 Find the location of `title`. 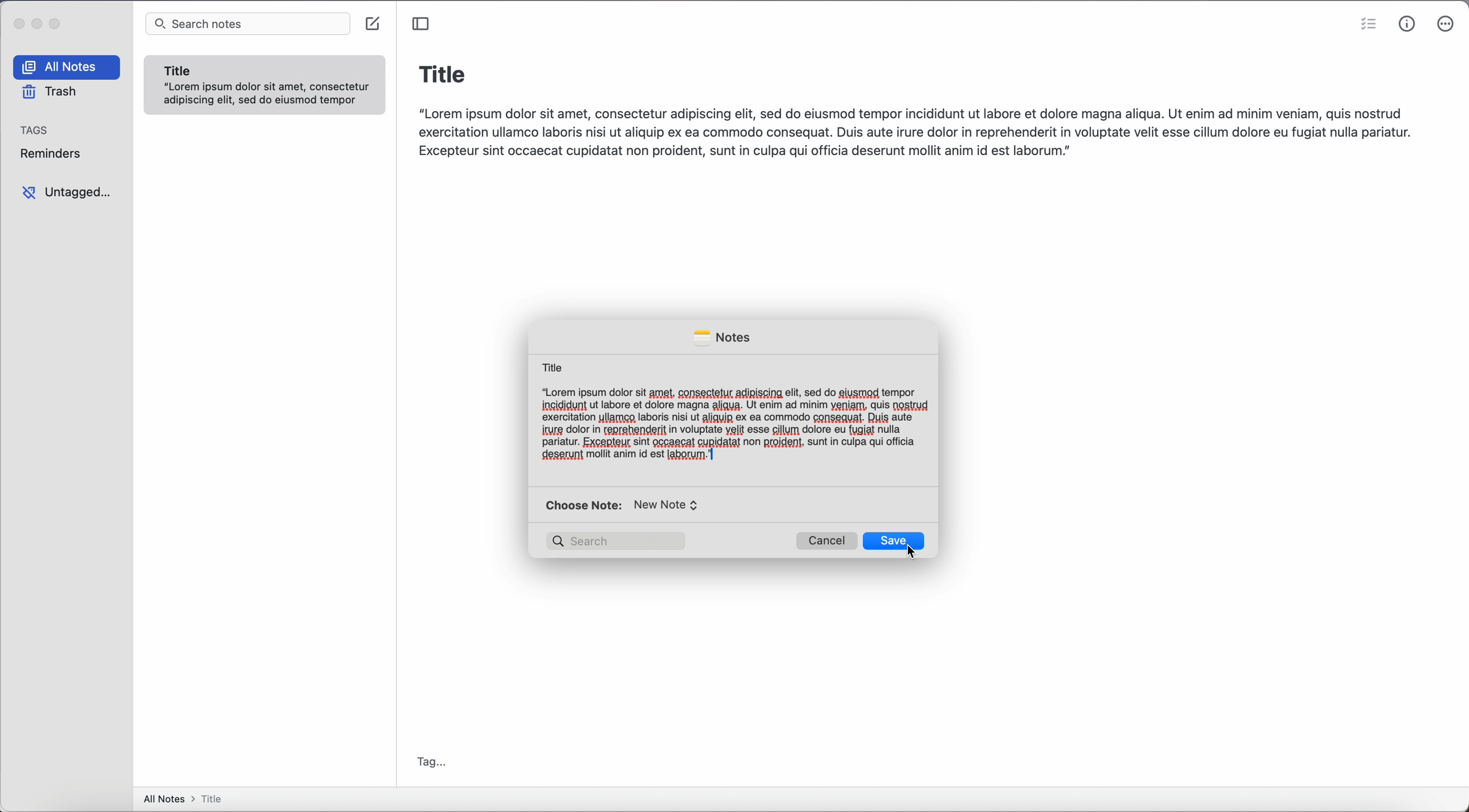

title is located at coordinates (551, 366).